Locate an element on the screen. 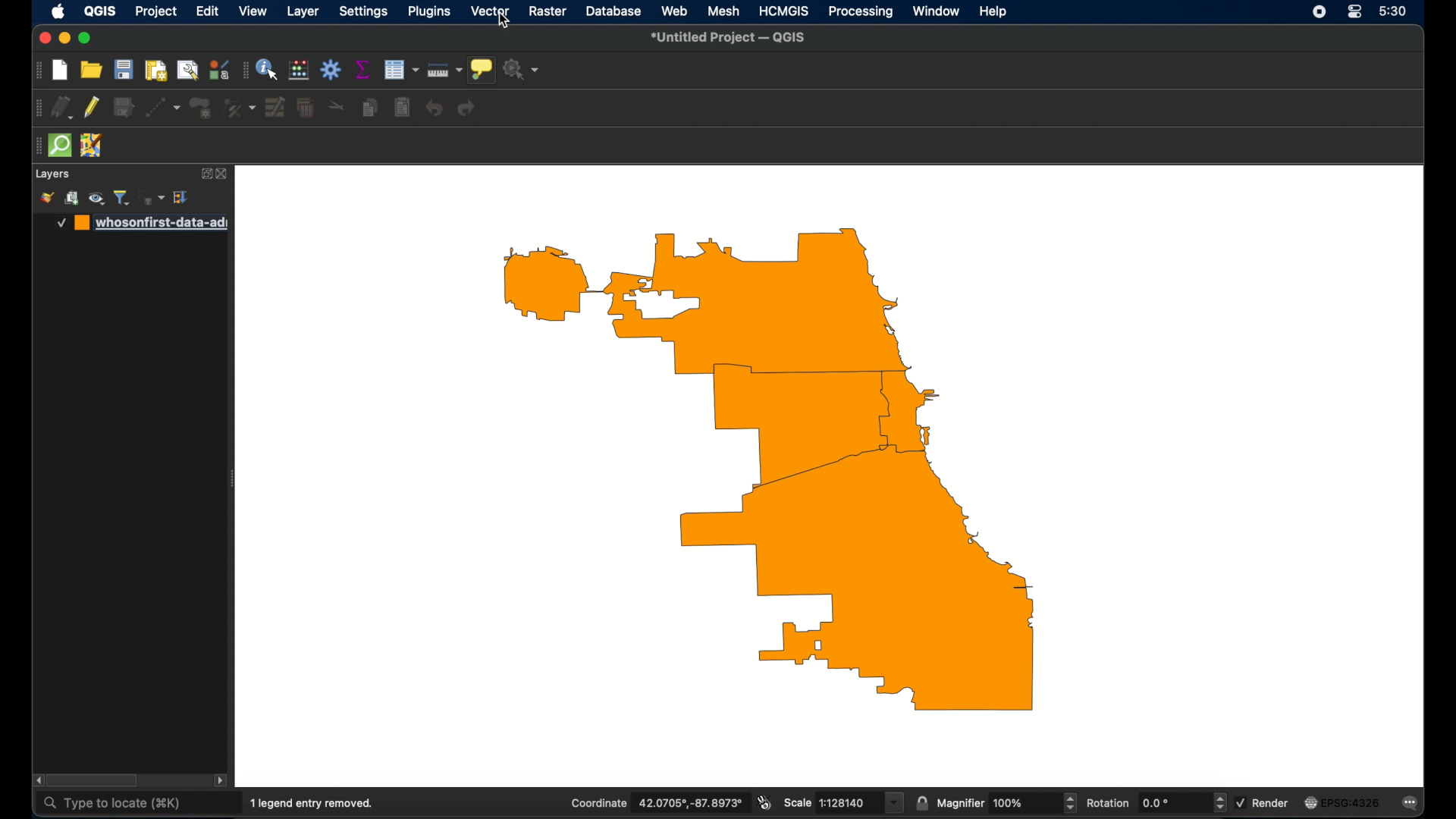 The image size is (1456, 819). US  westside map is located at coordinates (782, 474).